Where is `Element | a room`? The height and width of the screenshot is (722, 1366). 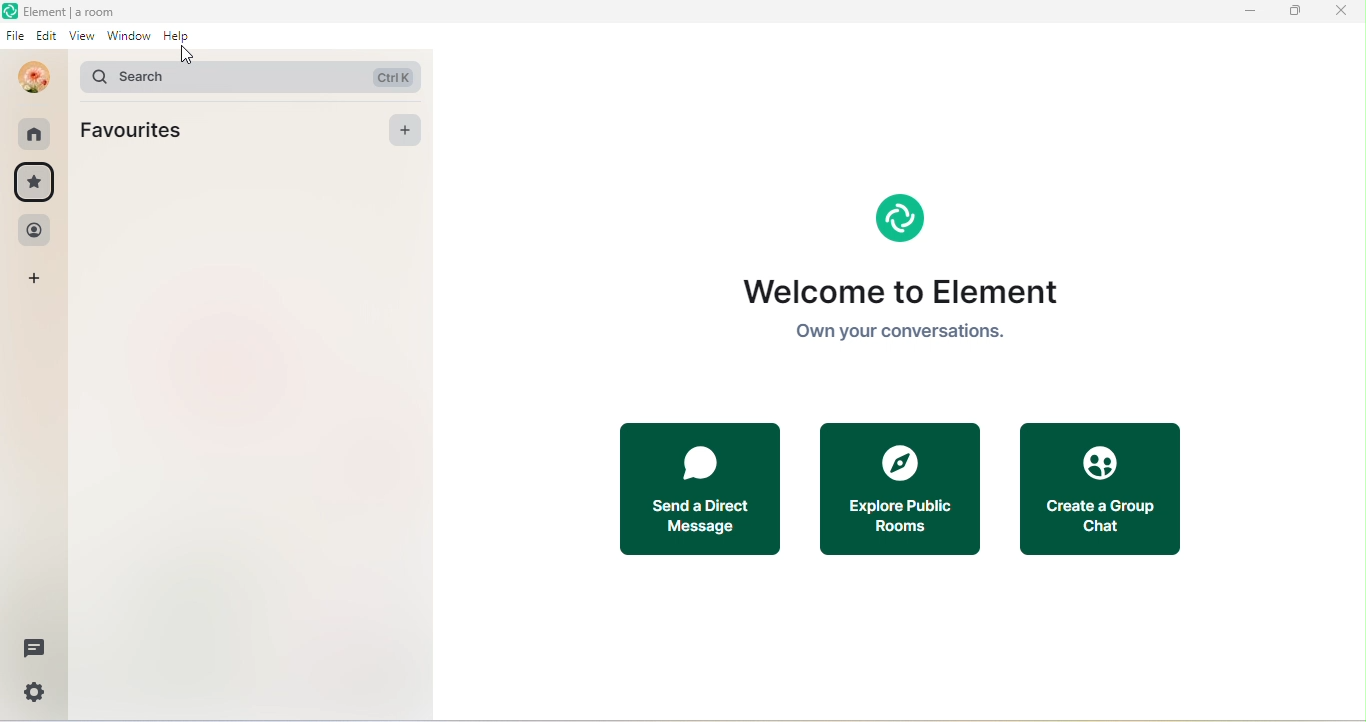 Element | a room is located at coordinates (61, 10).